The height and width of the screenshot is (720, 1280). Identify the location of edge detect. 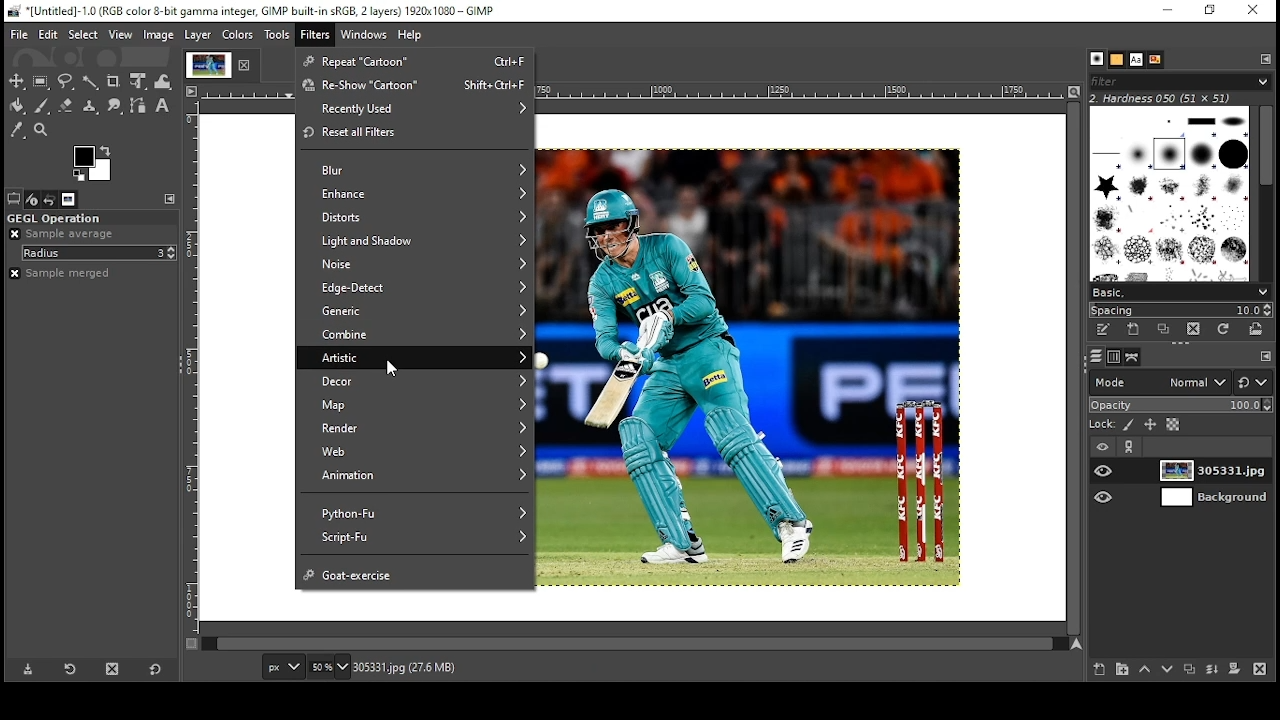
(415, 289).